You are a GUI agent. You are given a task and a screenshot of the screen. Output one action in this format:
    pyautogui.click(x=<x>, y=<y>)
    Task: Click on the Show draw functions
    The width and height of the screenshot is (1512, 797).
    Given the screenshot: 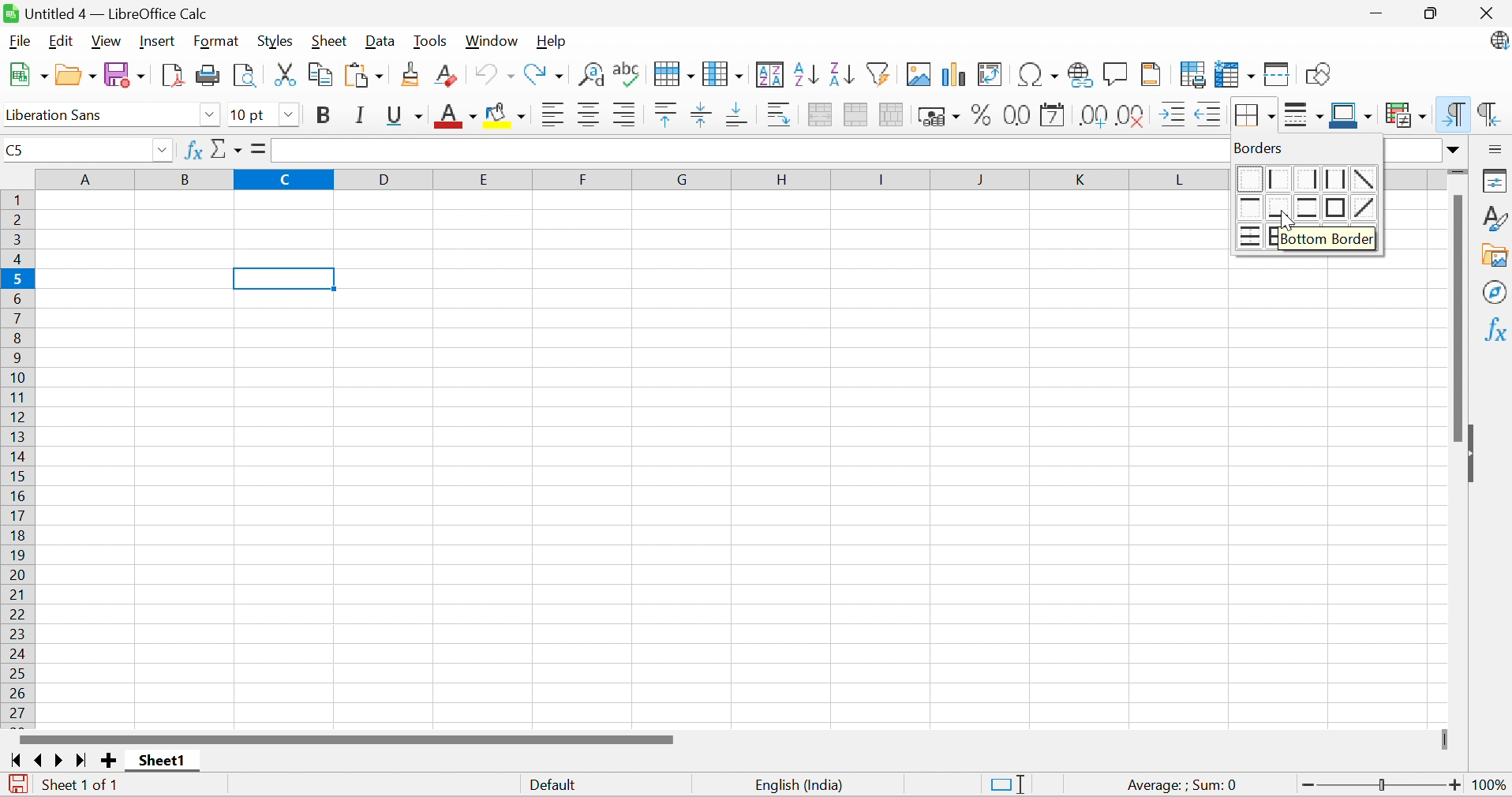 What is the action you would take?
    pyautogui.click(x=1320, y=73)
    